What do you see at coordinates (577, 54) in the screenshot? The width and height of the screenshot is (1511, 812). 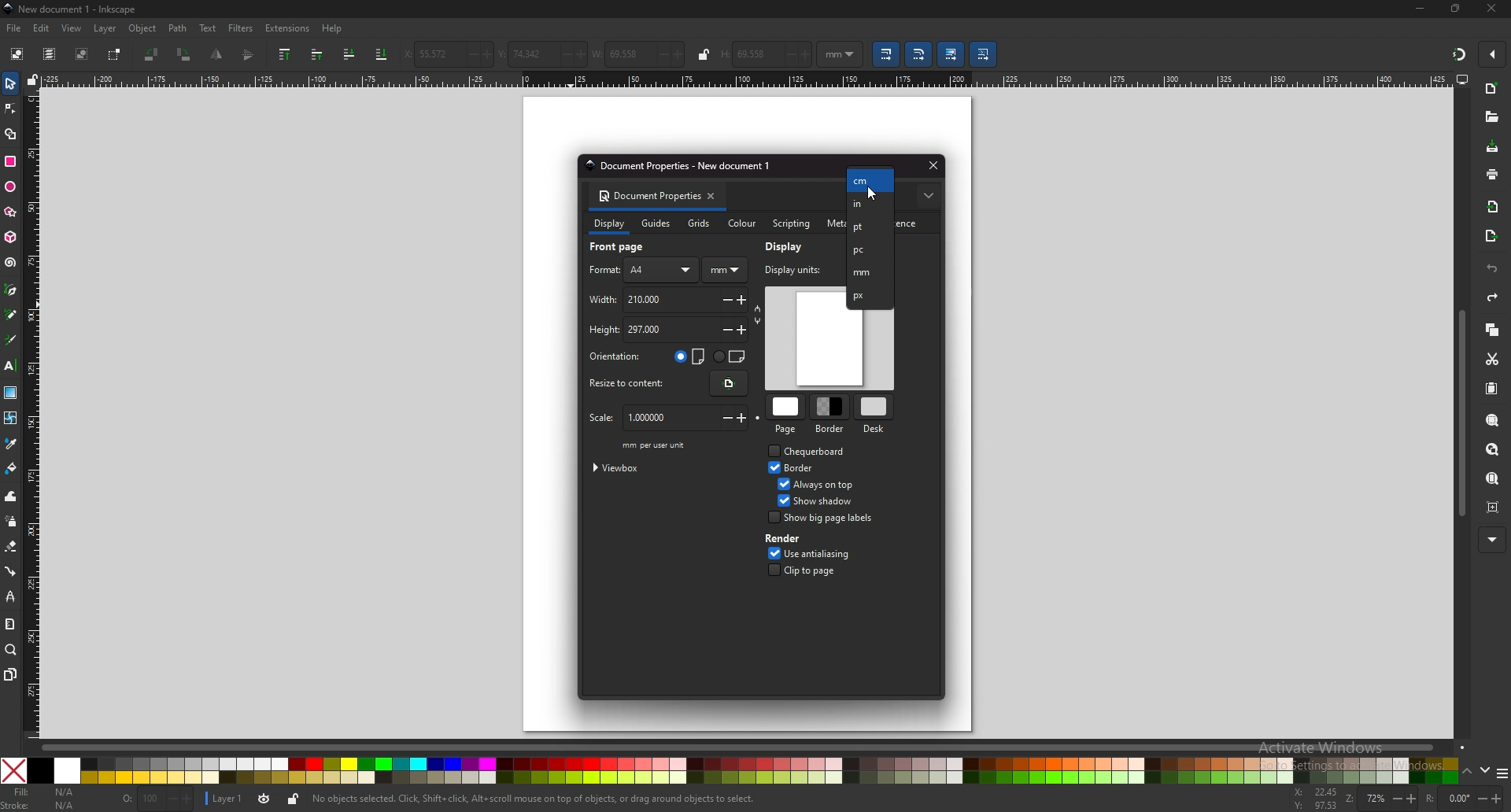 I see `+` at bounding box center [577, 54].